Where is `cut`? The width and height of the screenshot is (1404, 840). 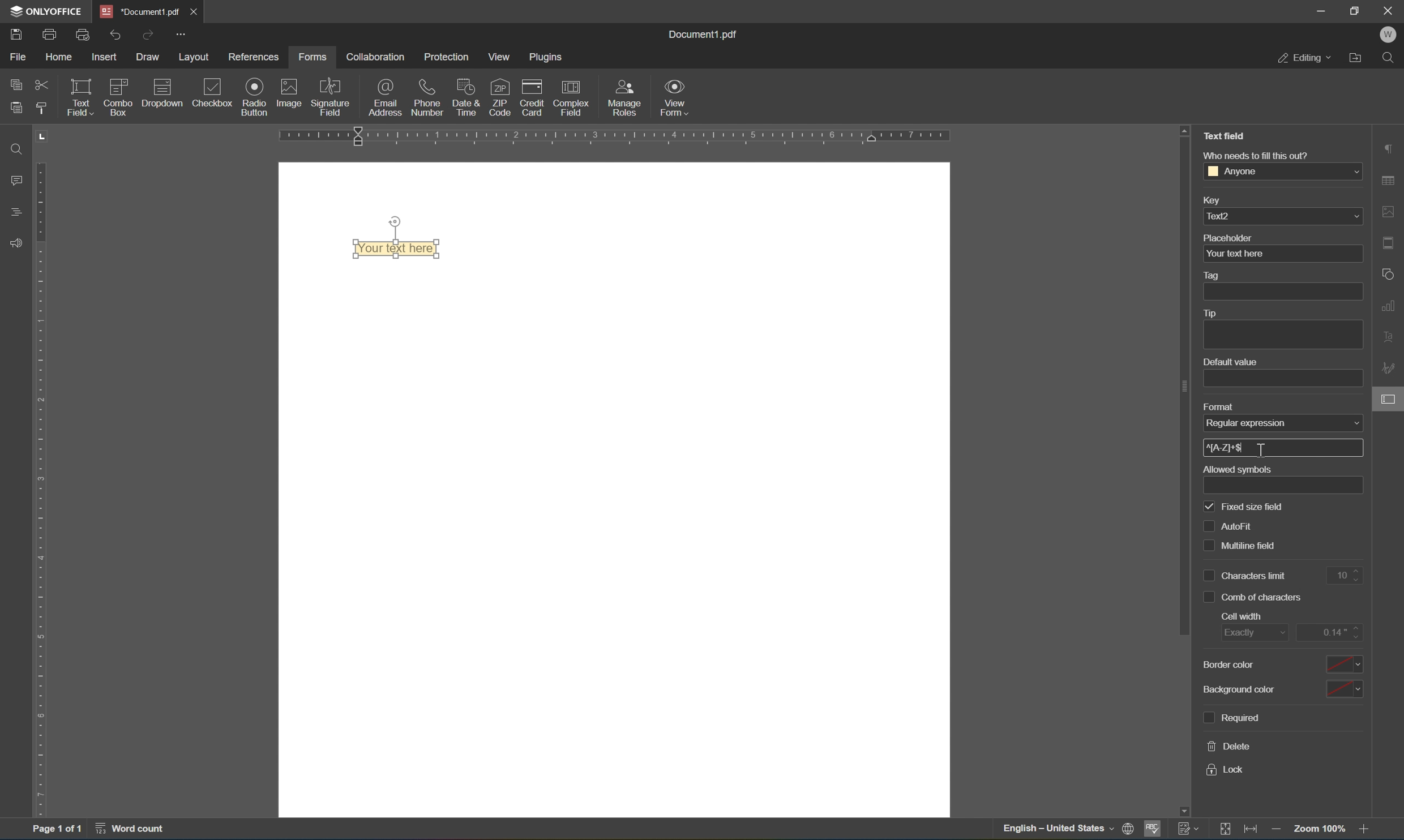 cut is located at coordinates (42, 84).